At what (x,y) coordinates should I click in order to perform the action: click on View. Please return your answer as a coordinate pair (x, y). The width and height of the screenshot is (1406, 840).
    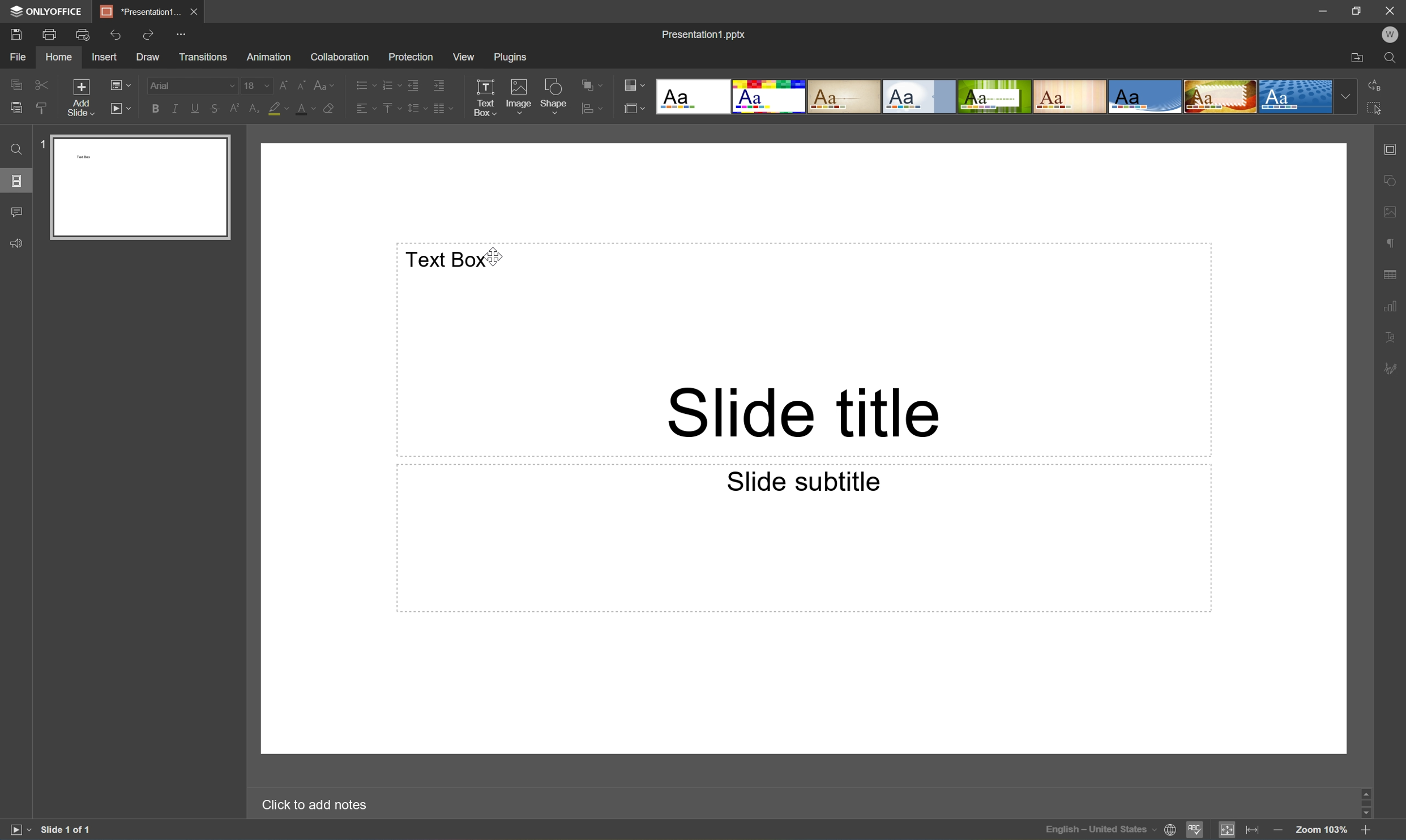
    Looking at the image, I should click on (462, 57).